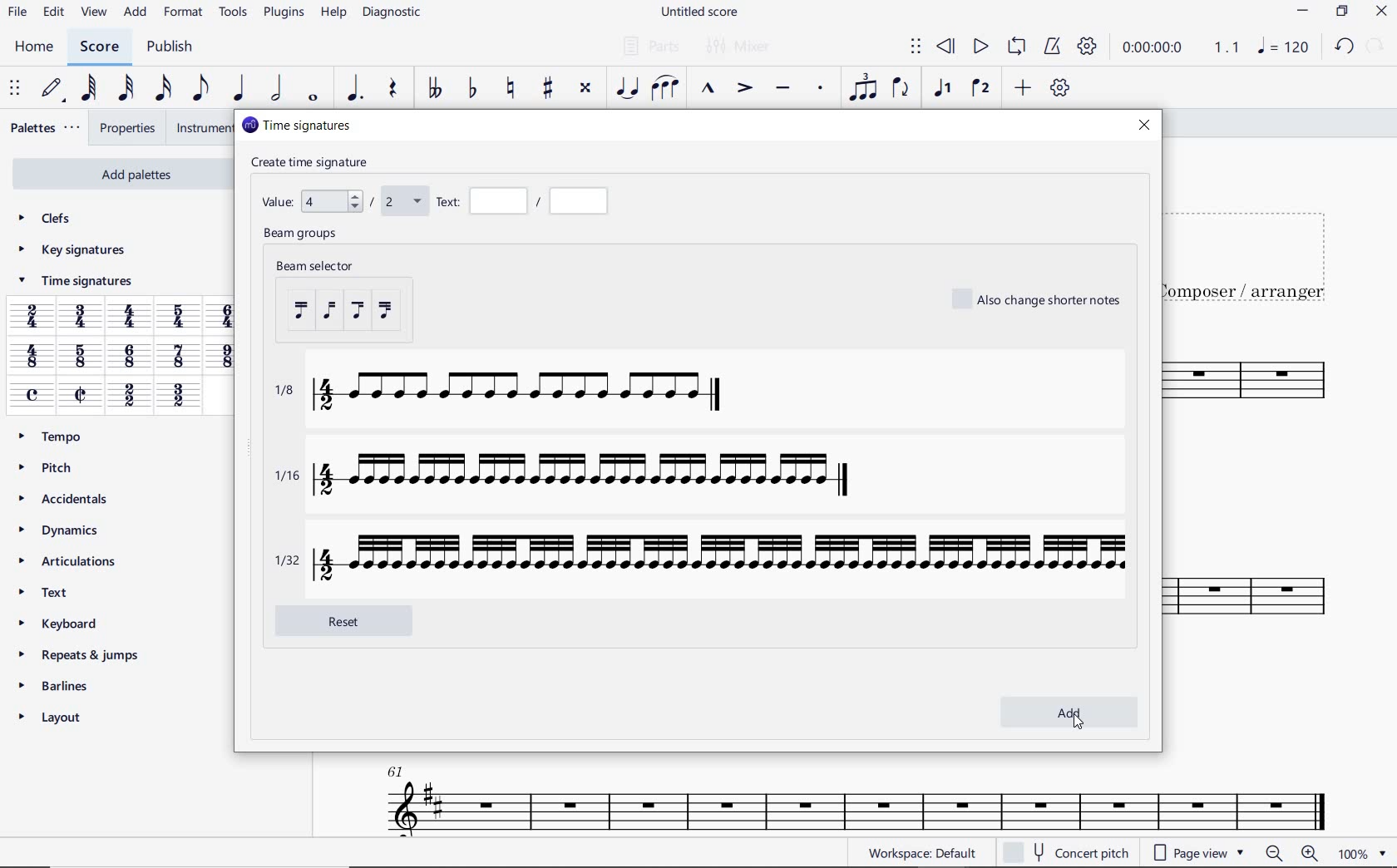 The width and height of the screenshot is (1397, 868). Describe the element at coordinates (88, 88) in the screenshot. I see `64TH NOTE` at that location.